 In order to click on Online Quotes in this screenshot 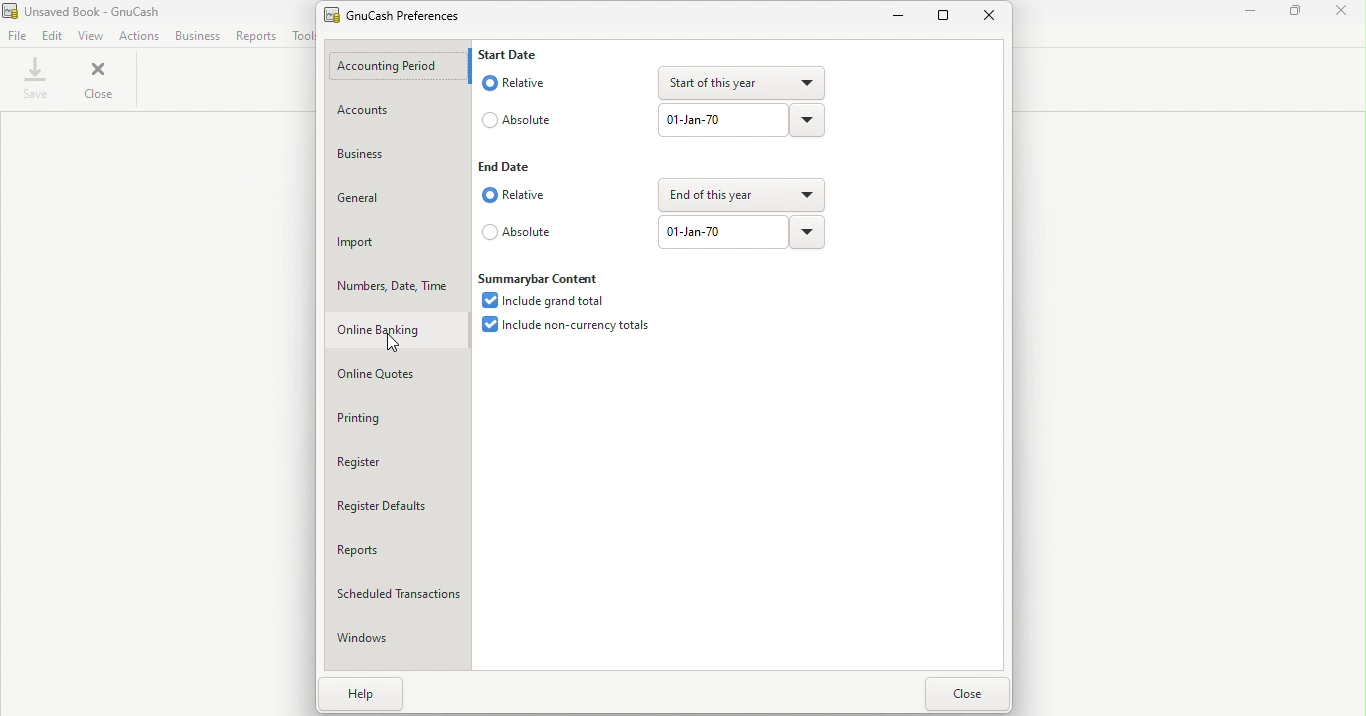, I will do `click(401, 376)`.